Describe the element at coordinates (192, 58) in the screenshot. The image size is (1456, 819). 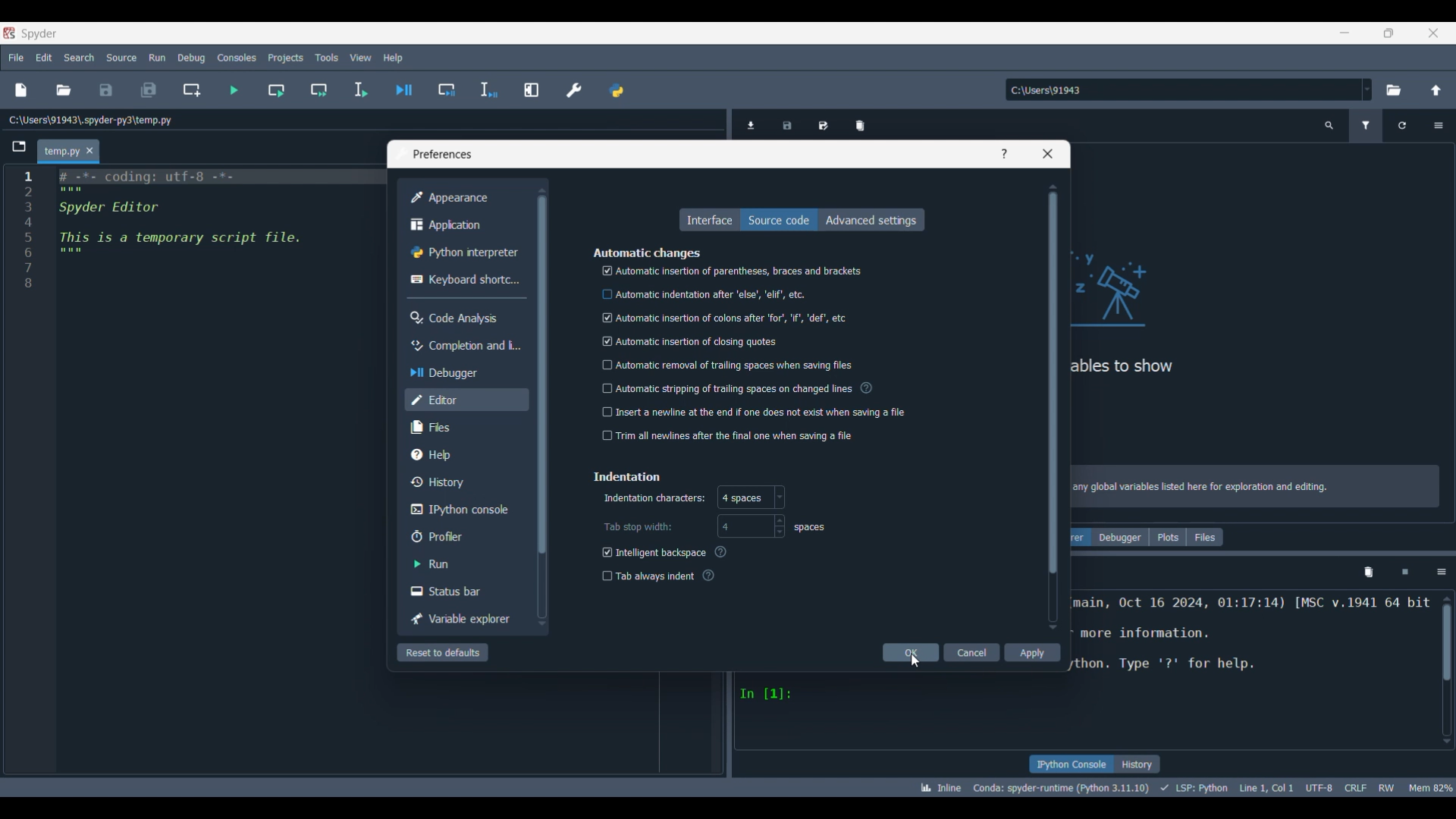
I see `Debug menu` at that location.